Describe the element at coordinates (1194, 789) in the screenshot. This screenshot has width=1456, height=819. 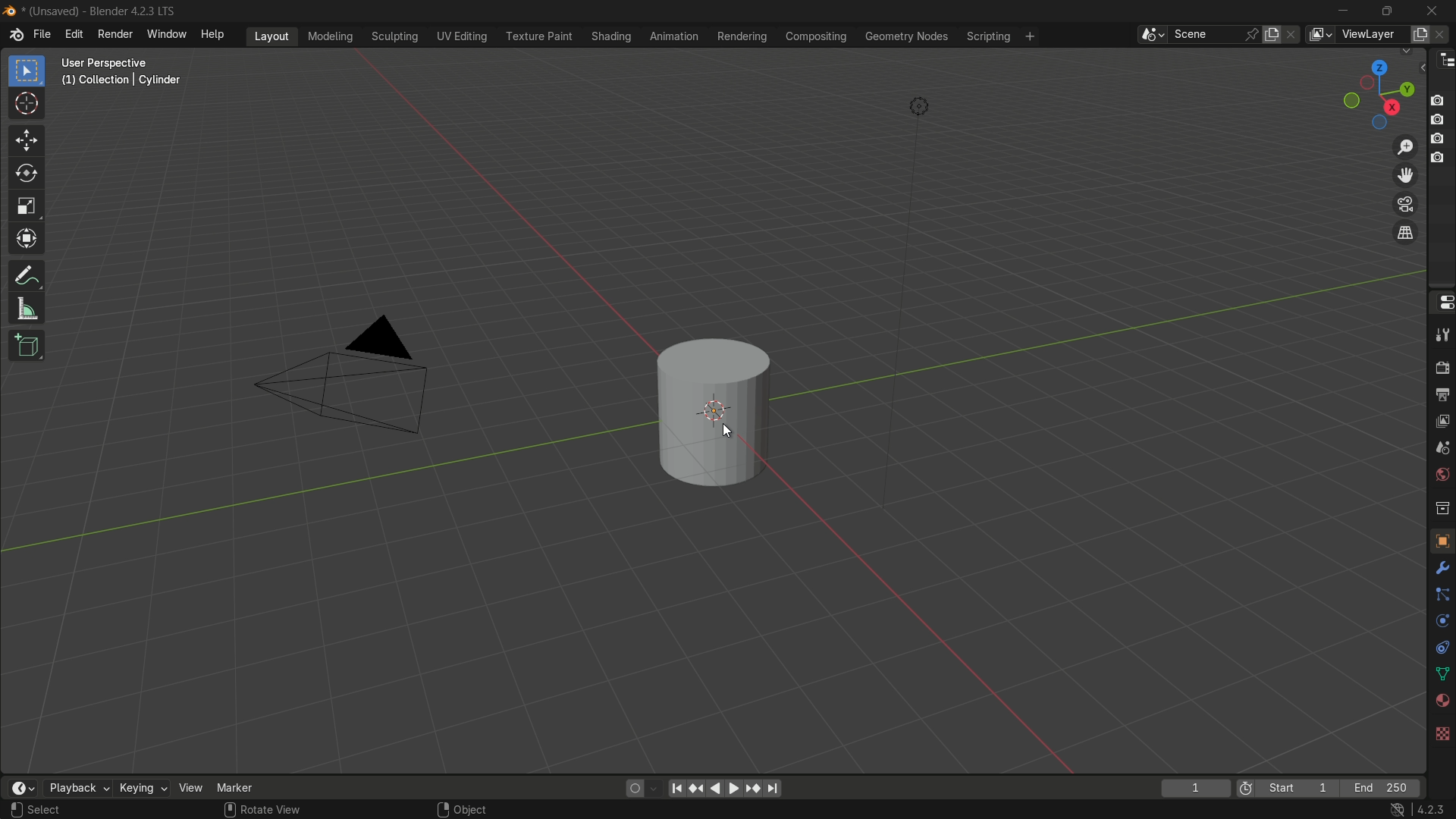
I see `1` at that location.